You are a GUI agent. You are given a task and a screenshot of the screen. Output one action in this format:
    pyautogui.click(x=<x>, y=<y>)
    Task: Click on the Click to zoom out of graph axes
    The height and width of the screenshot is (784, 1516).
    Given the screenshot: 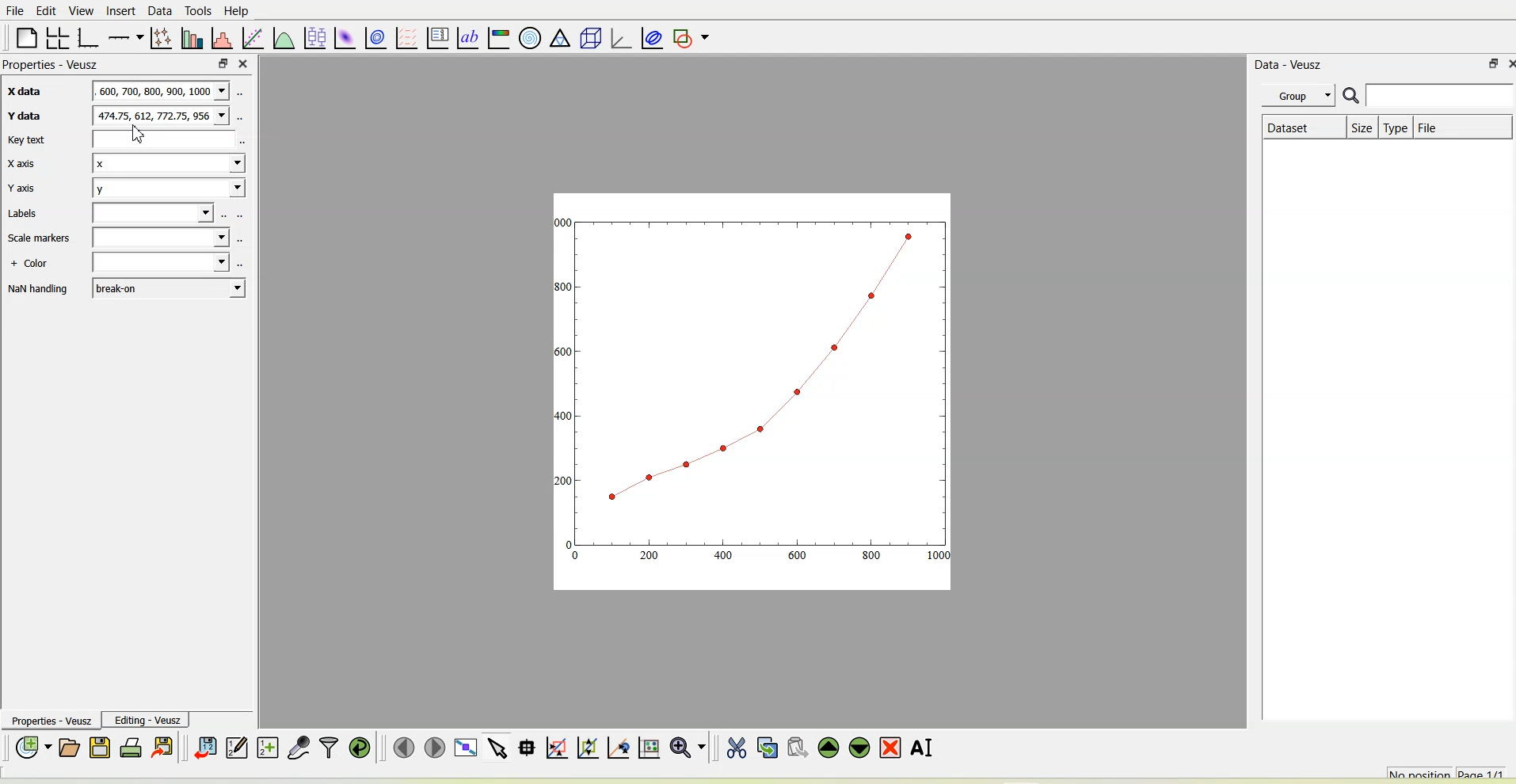 What is the action you would take?
    pyautogui.click(x=589, y=749)
    